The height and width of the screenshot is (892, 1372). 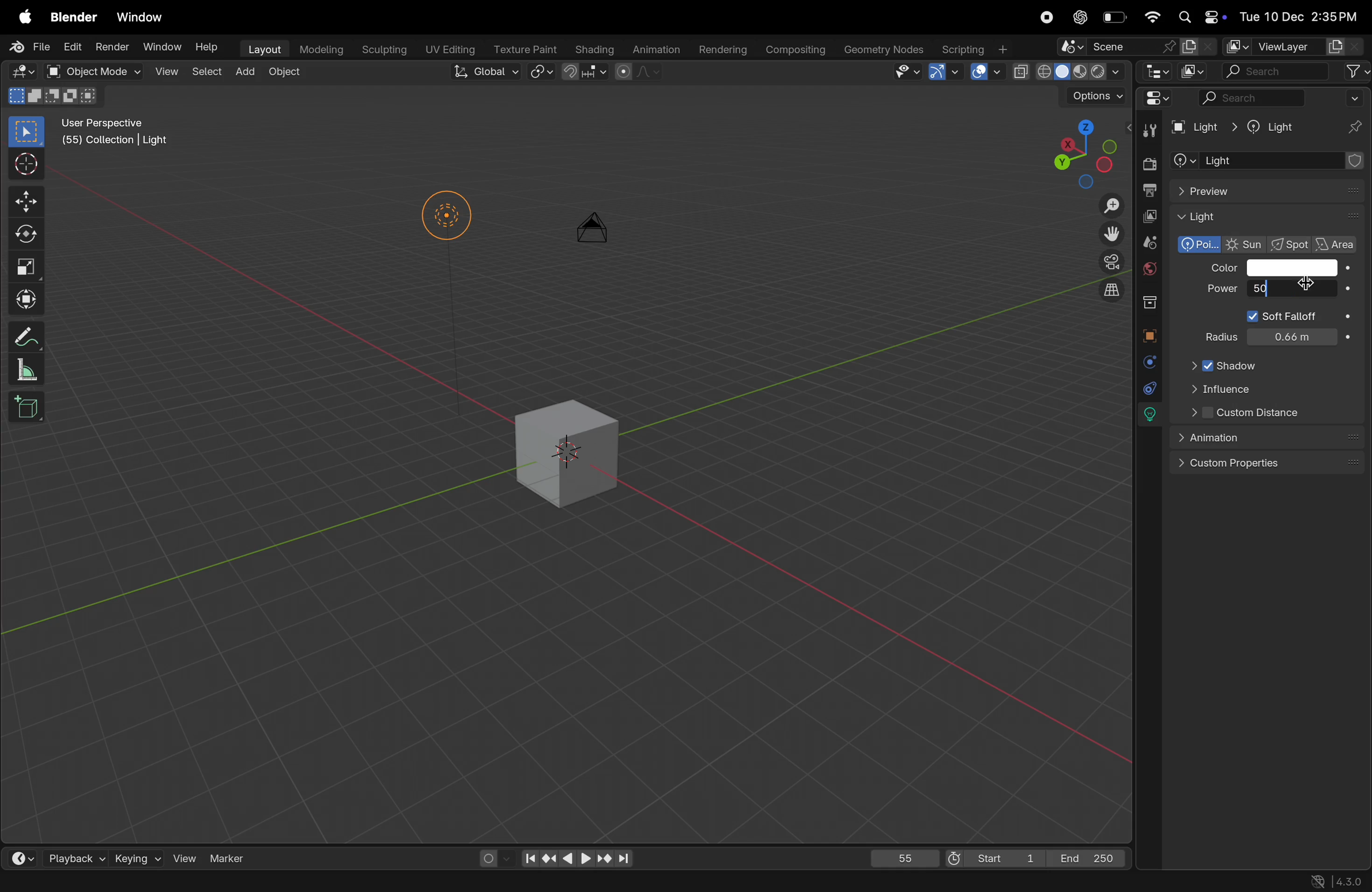 I want to click on cursor, so click(x=27, y=164).